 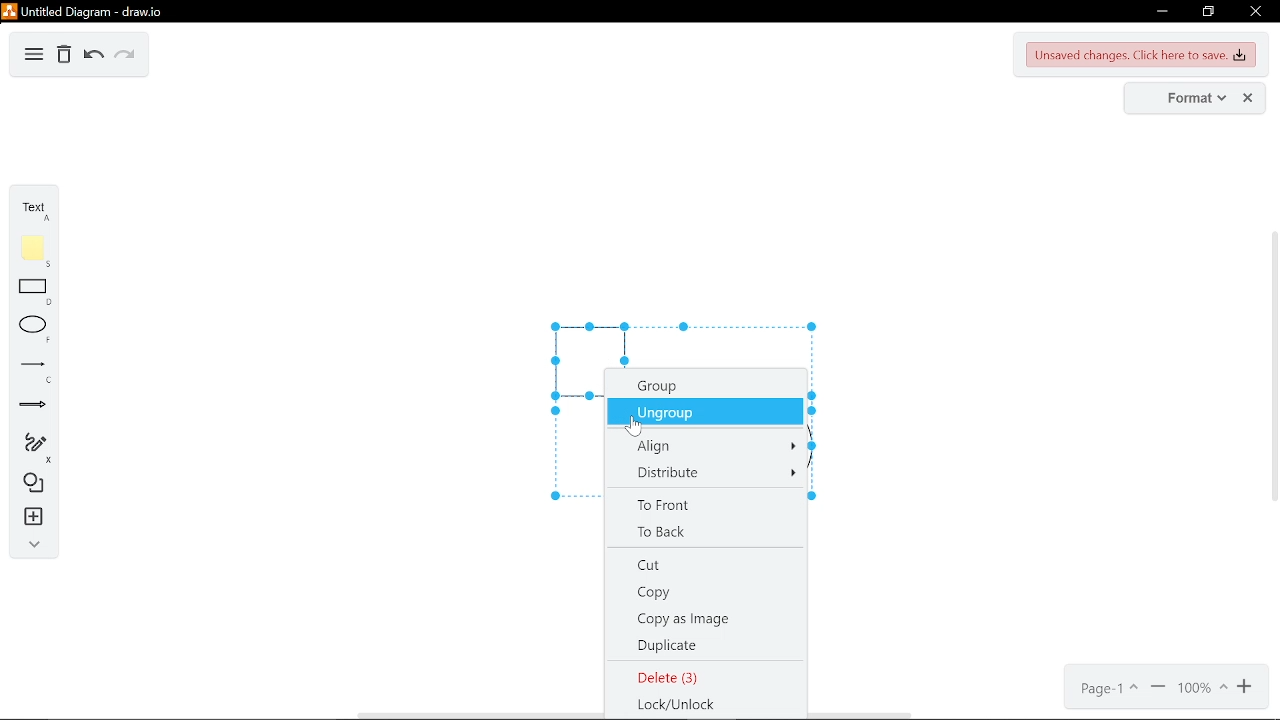 What do you see at coordinates (706, 703) in the screenshot?
I see `lock/unlock` at bounding box center [706, 703].